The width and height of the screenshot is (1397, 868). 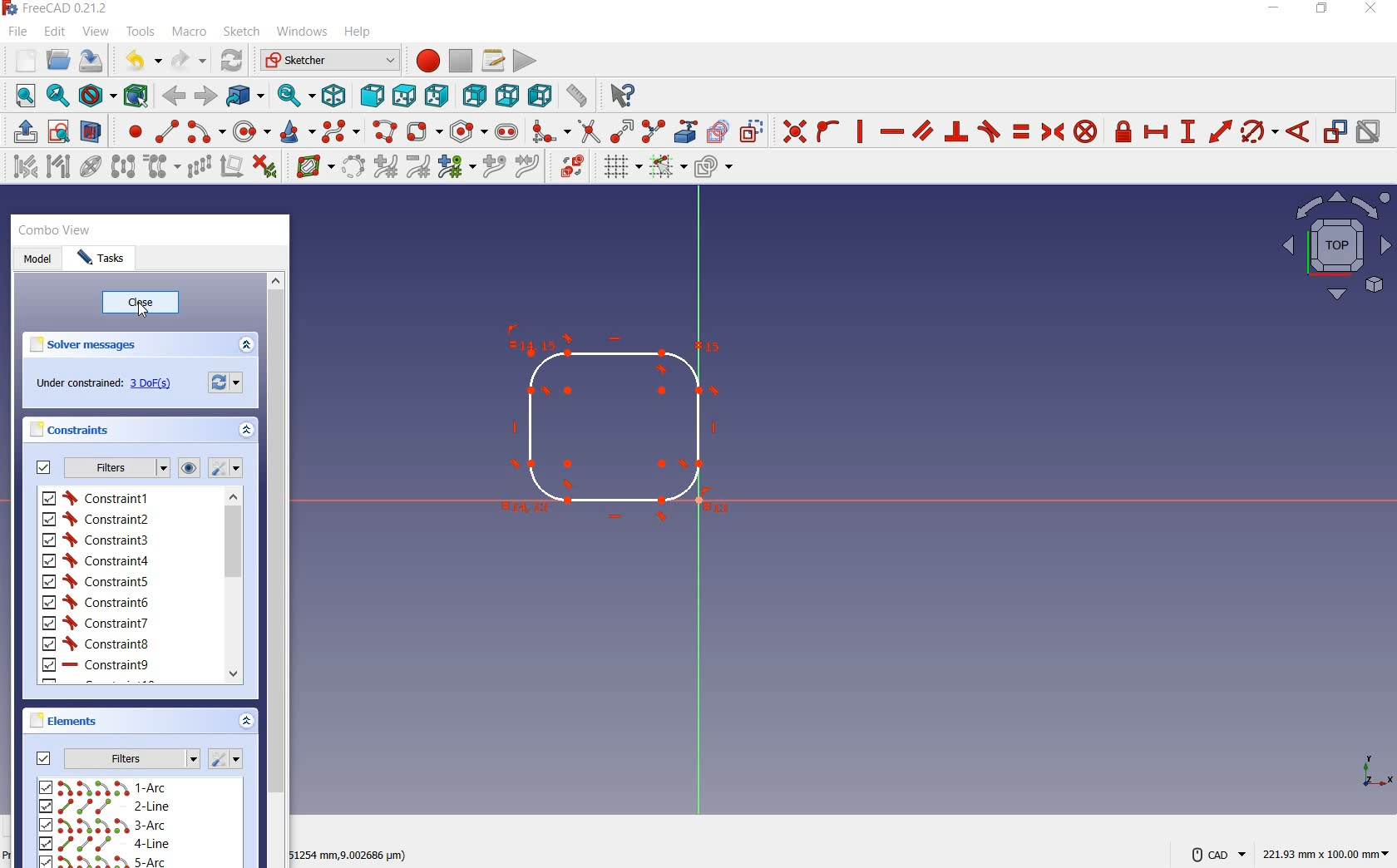 What do you see at coordinates (206, 133) in the screenshot?
I see `create arc` at bounding box center [206, 133].